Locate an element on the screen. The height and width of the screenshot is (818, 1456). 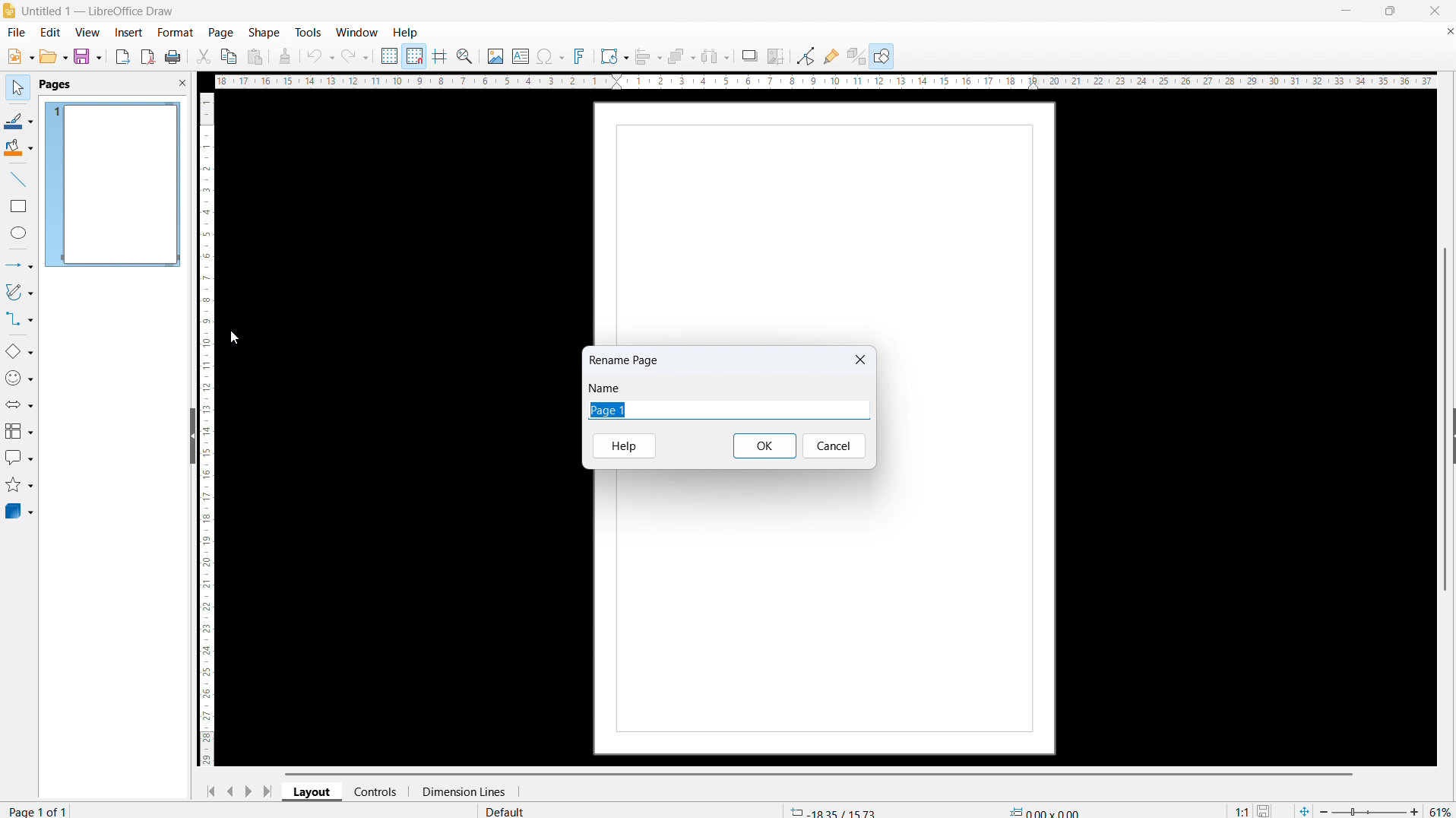
curves and polygons is located at coordinates (19, 293).